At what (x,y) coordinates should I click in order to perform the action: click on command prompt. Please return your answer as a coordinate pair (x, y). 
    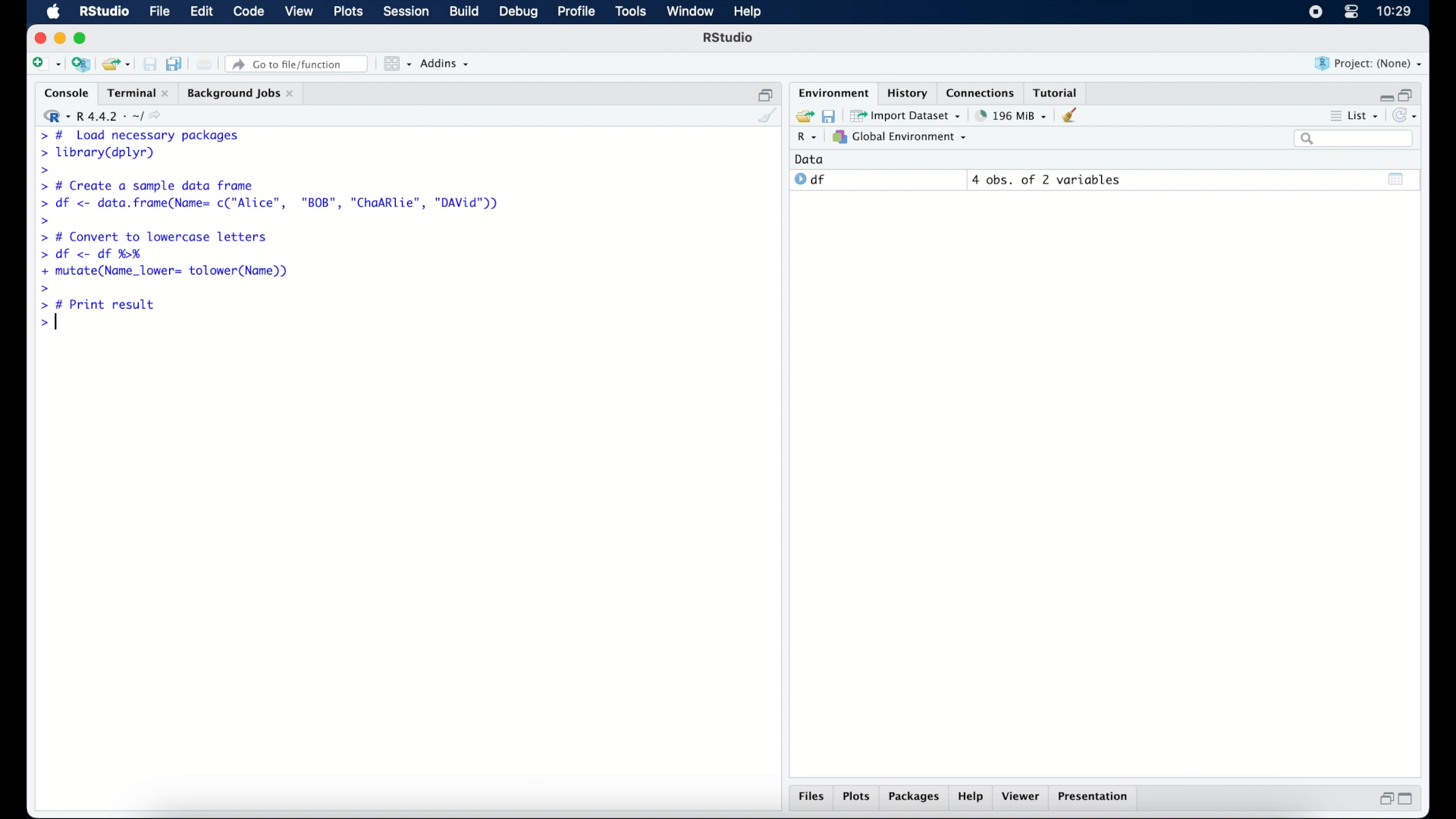
    Looking at the image, I should click on (45, 288).